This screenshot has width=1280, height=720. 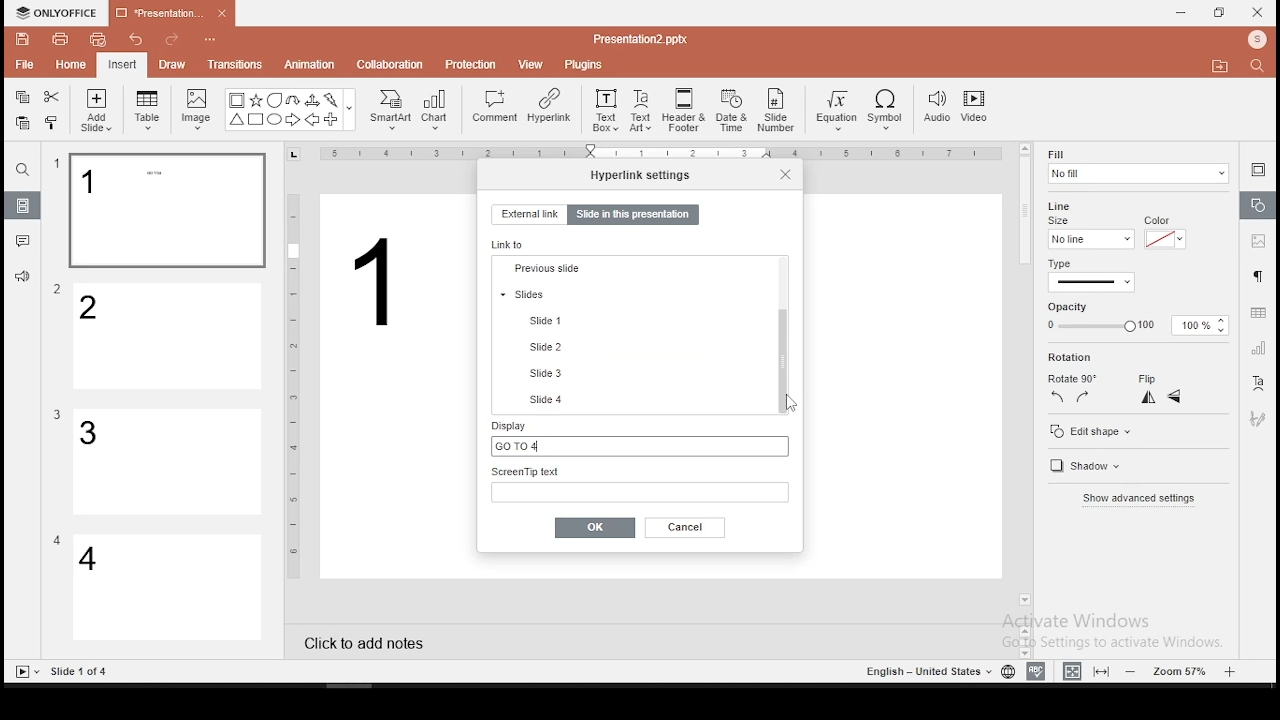 What do you see at coordinates (1146, 397) in the screenshot?
I see `flip horizontal` at bounding box center [1146, 397].